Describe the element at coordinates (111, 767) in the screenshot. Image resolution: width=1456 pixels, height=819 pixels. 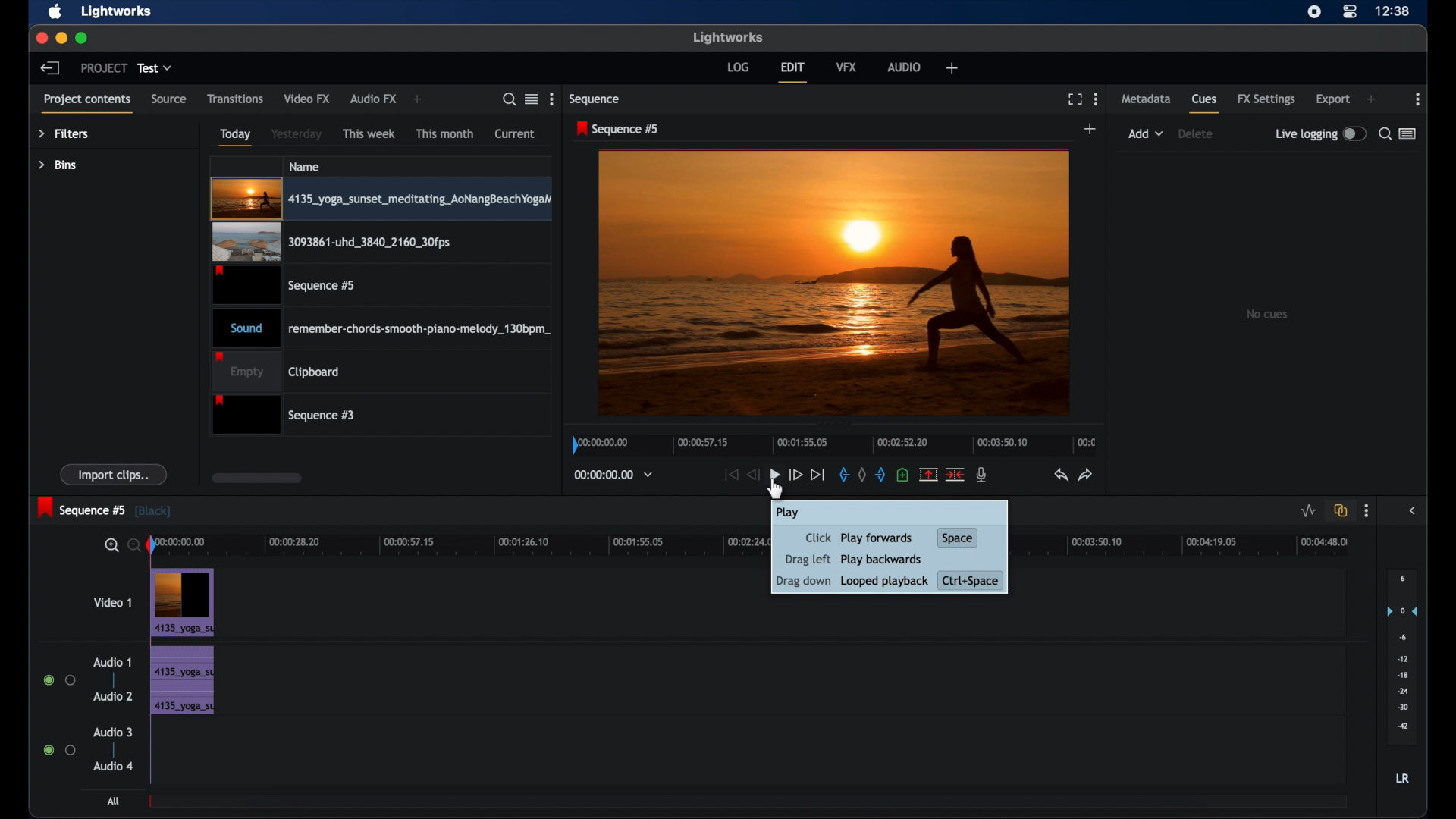
I see `audio 4` at that location.